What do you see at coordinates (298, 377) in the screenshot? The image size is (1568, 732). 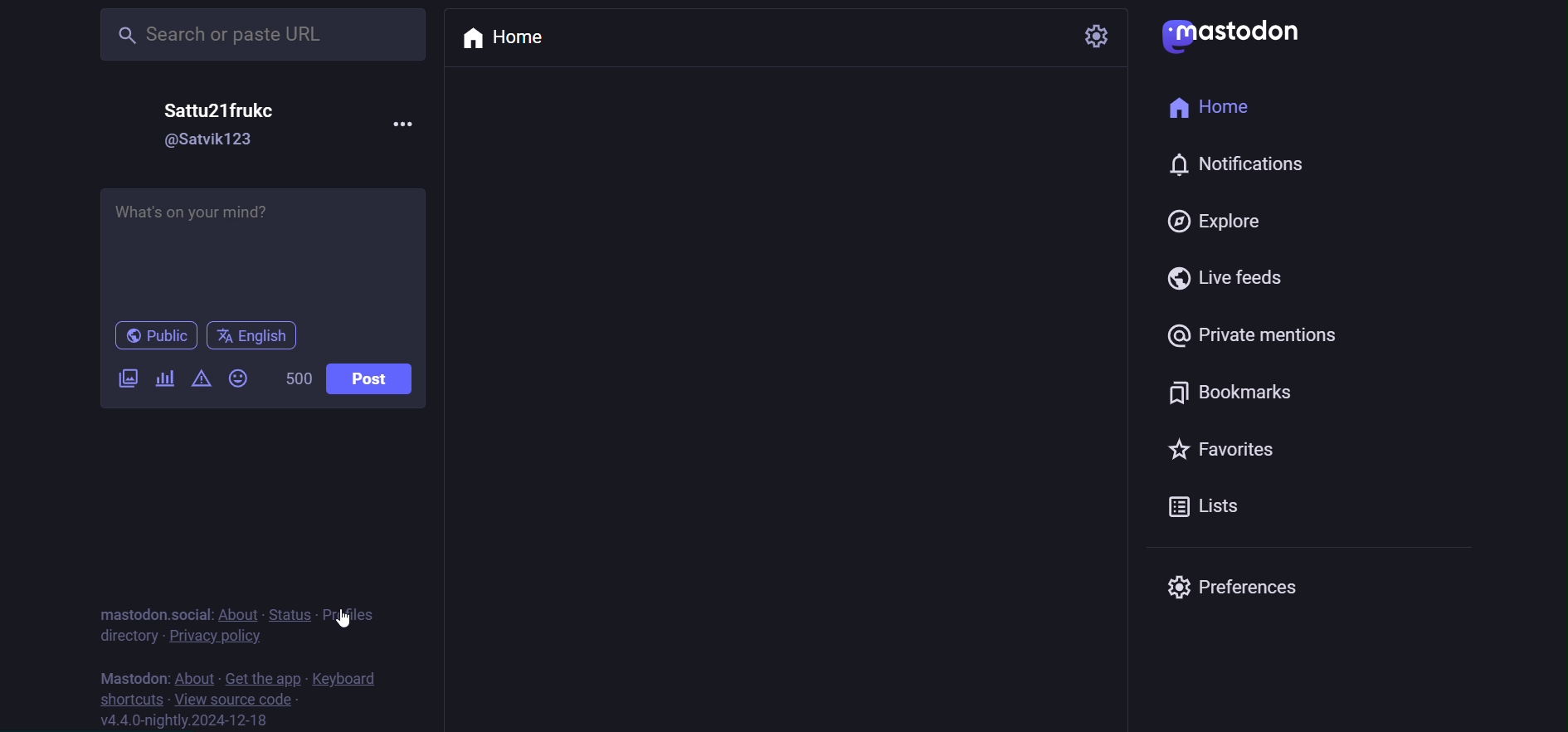 I see `500` at bounding box center [298, 377].